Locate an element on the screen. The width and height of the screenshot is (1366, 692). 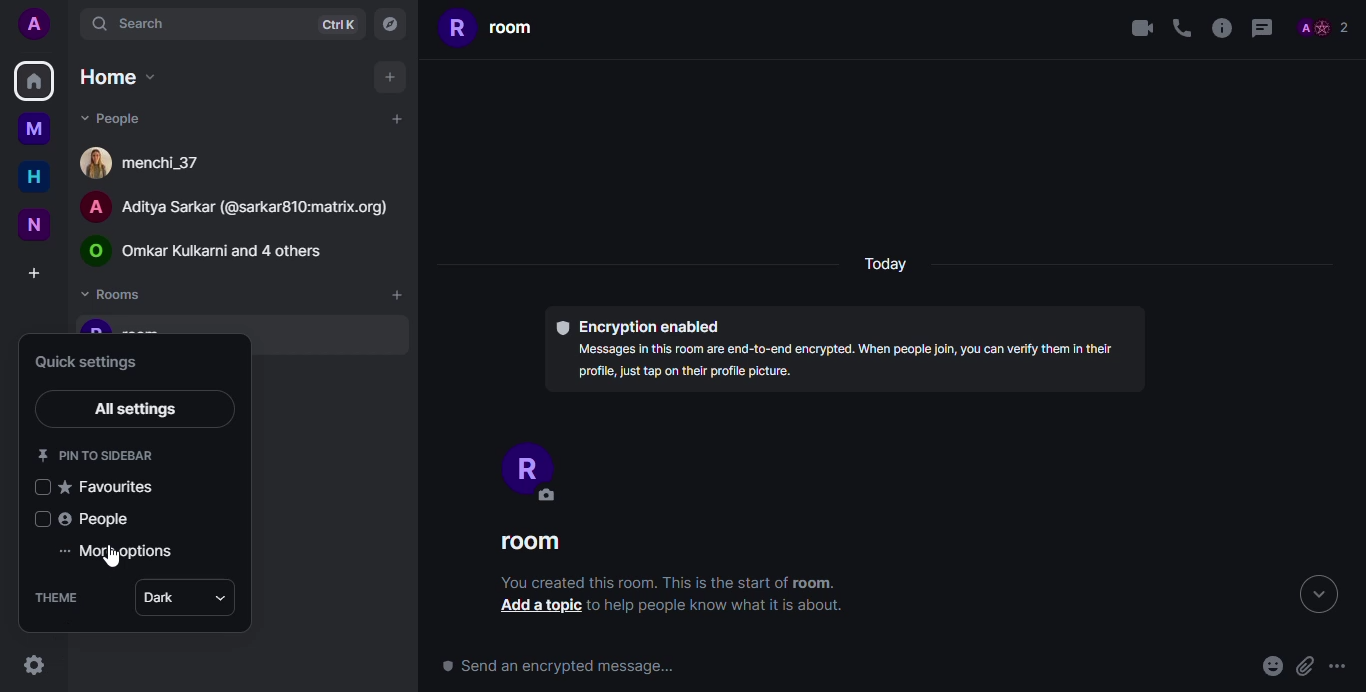
icon is located at coordinates (43, 518).